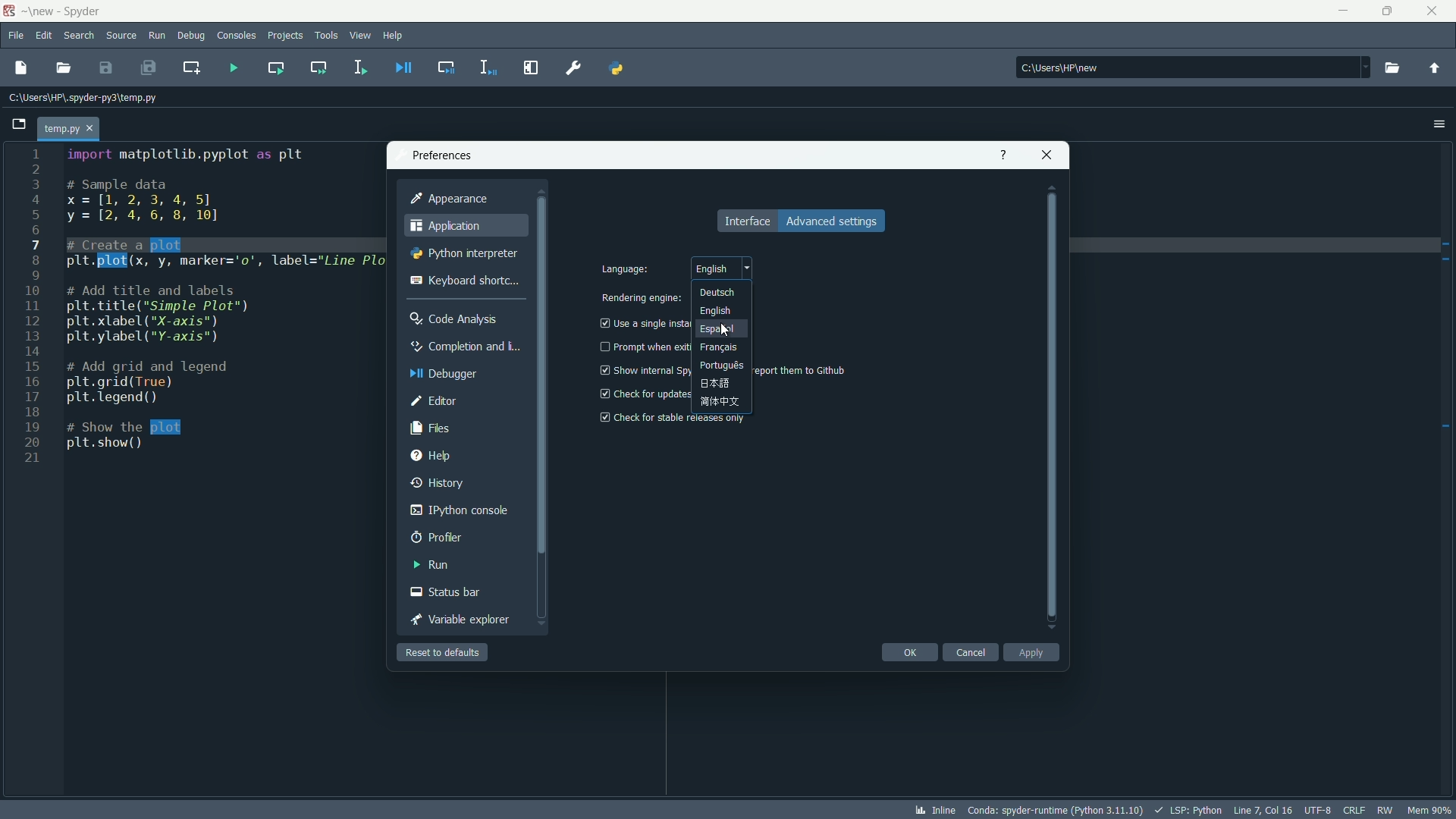 This screenshot has width=1456, height=819. I want to click on run selection, so click(358, 67).